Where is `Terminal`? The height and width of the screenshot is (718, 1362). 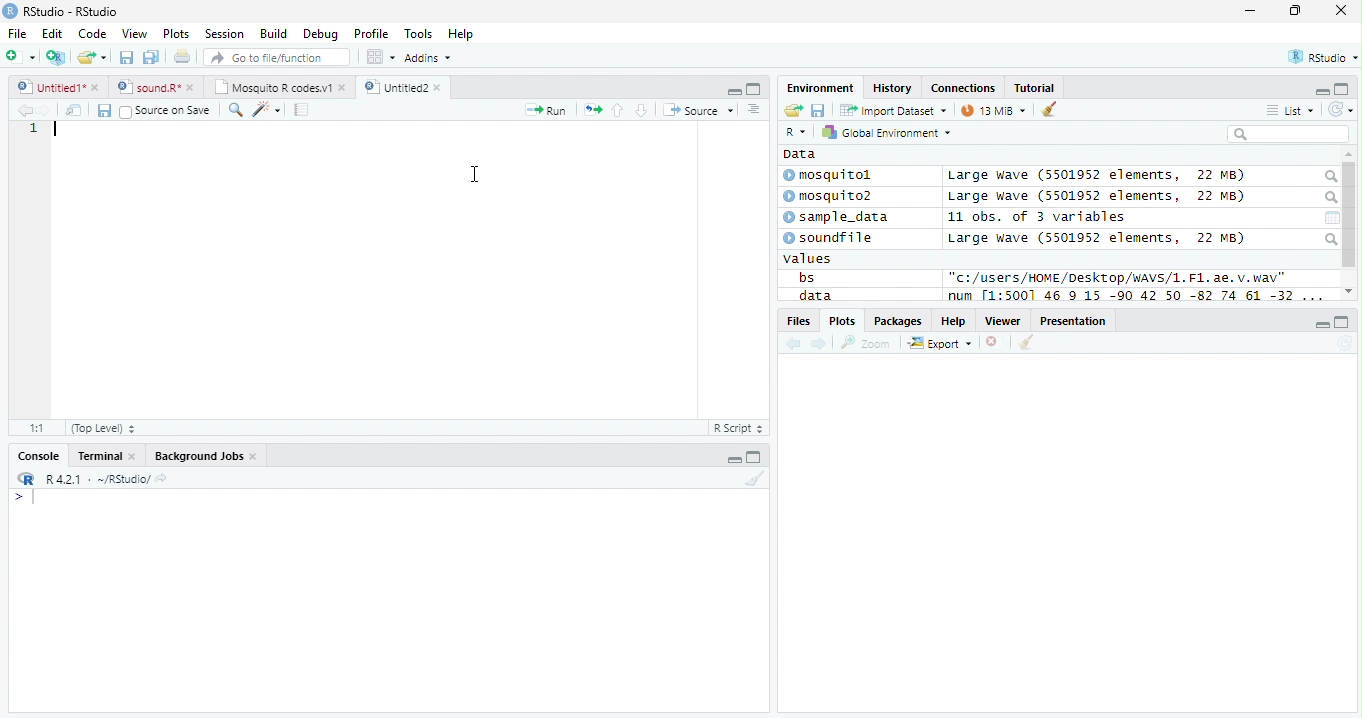
Terminal is located at coordinates (104, 456).